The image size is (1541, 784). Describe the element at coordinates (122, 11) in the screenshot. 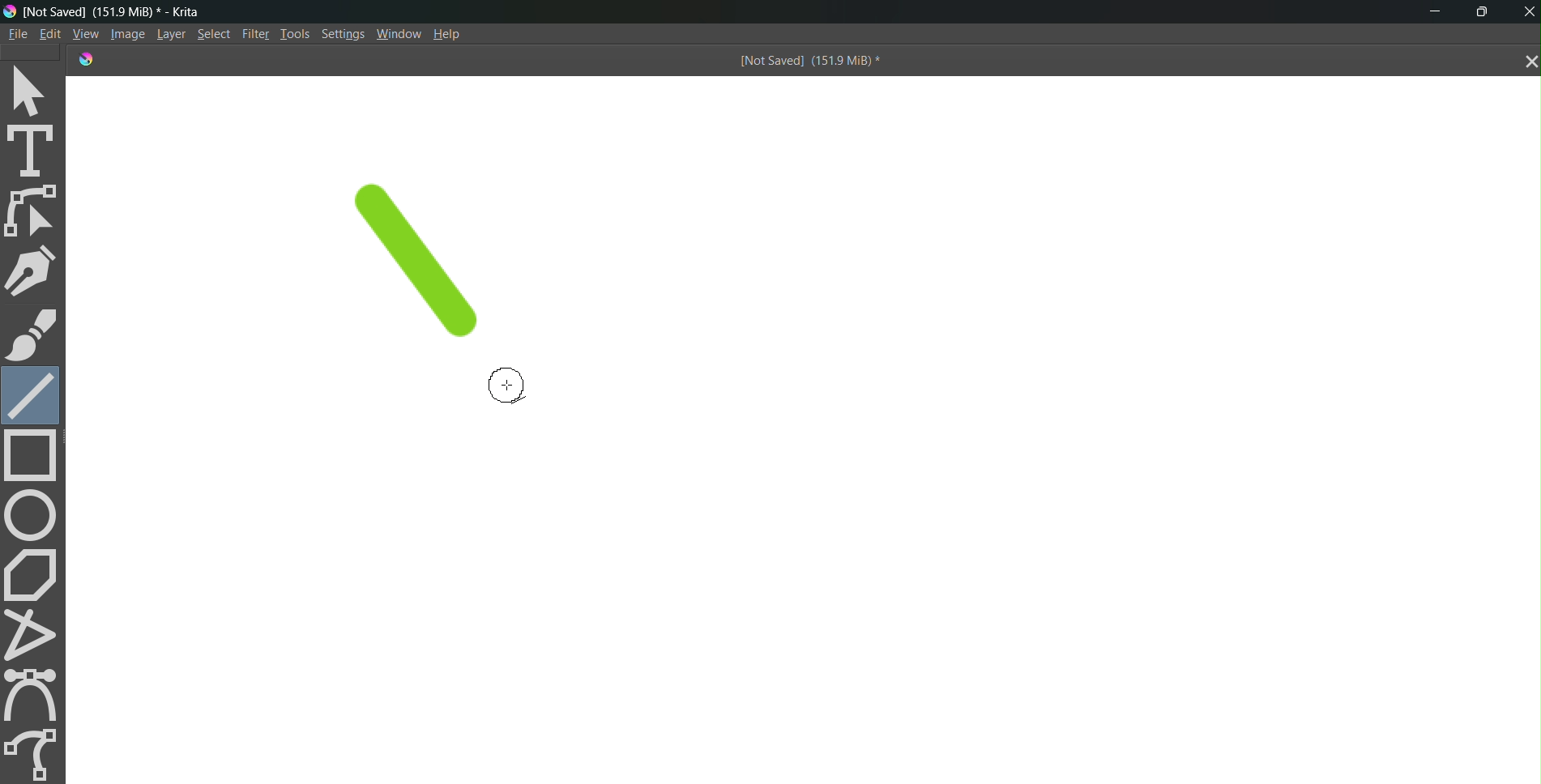

I see `[Not Saved] (151.9 MiB) * - Krita` at that location.